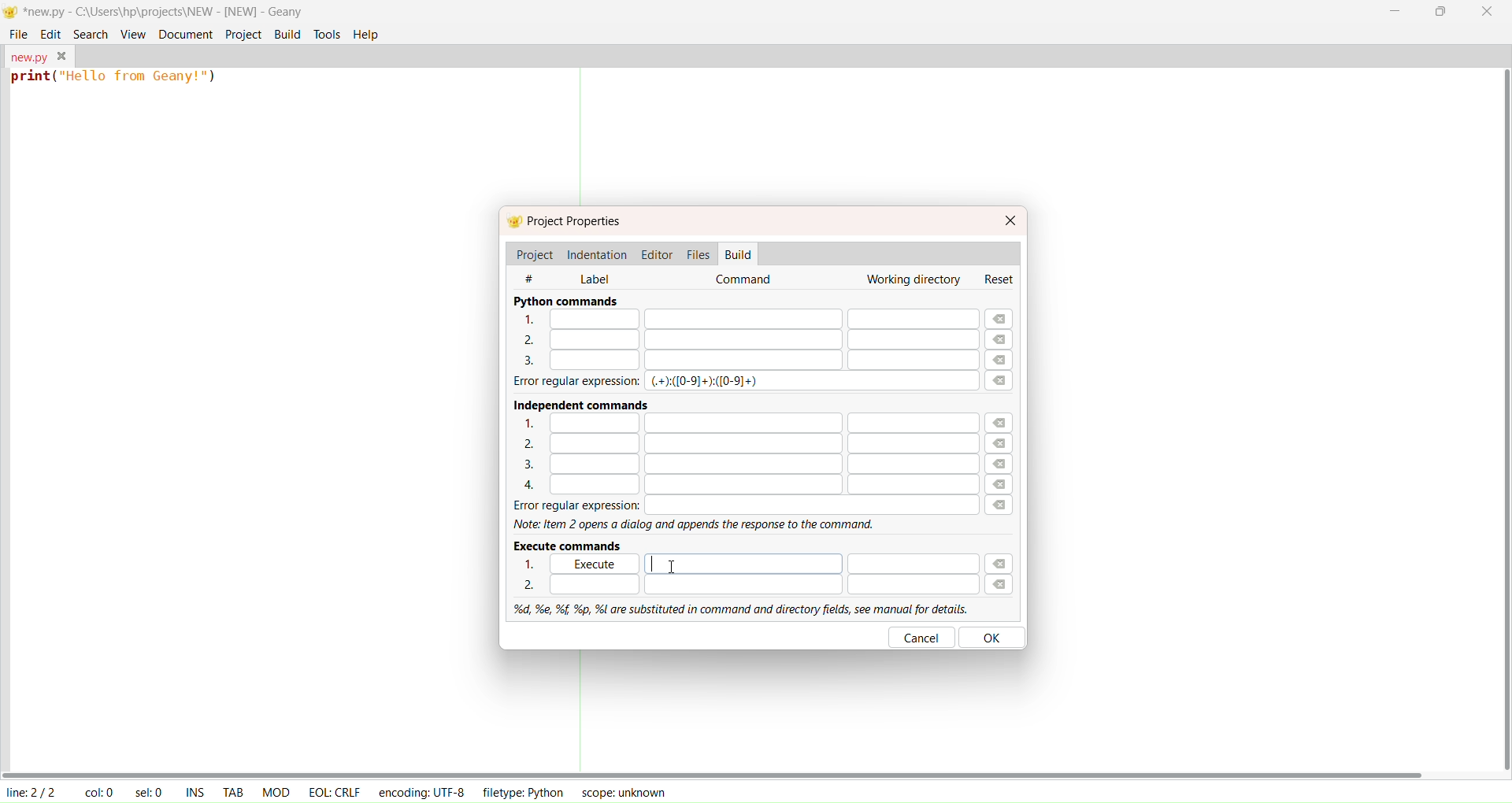 The height and width of the screenshot is (803, 1512). I want to click on python commands, so click(565, 301).